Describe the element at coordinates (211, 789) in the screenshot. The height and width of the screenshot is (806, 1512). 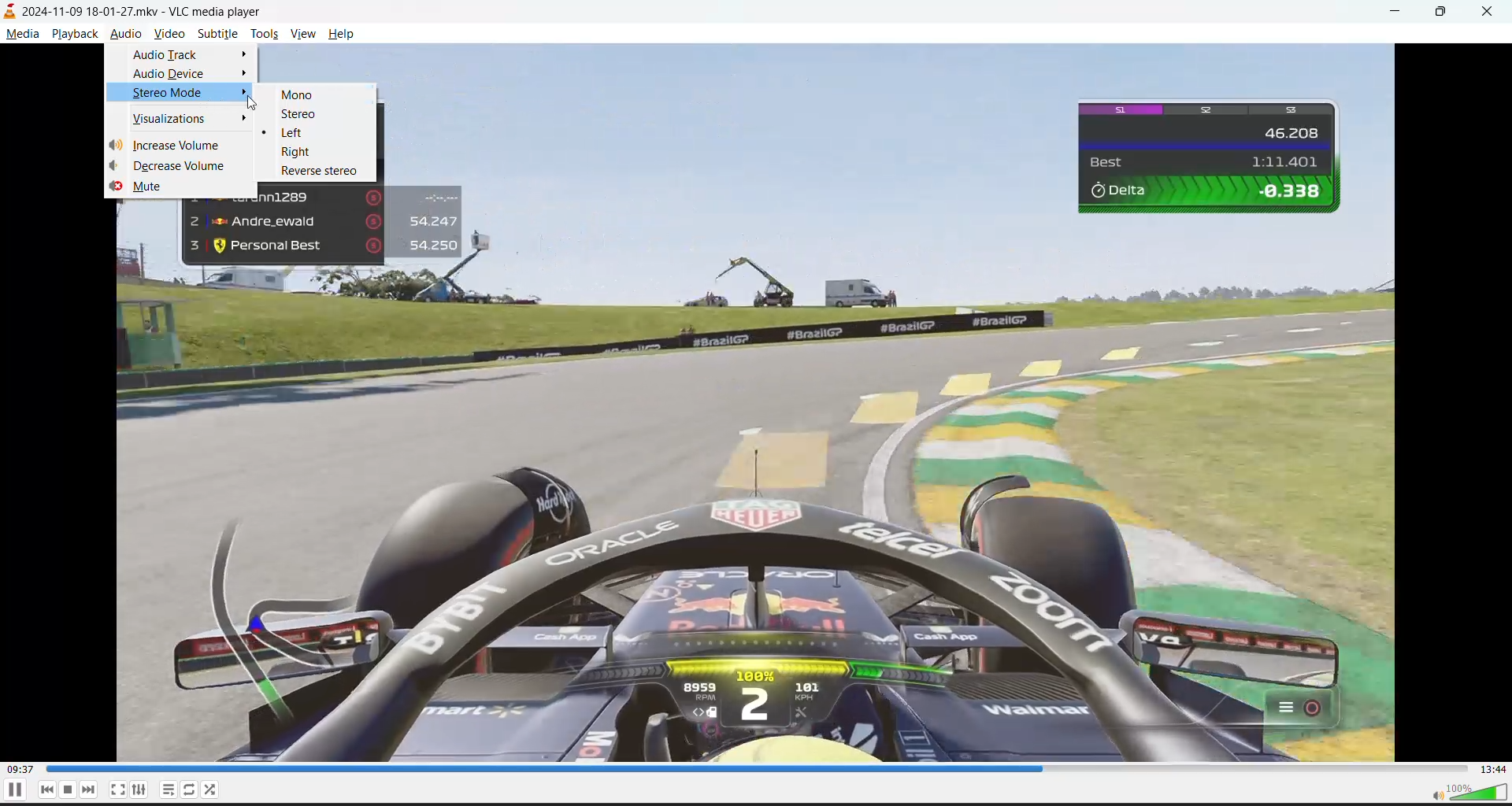
I see `random` at that location.